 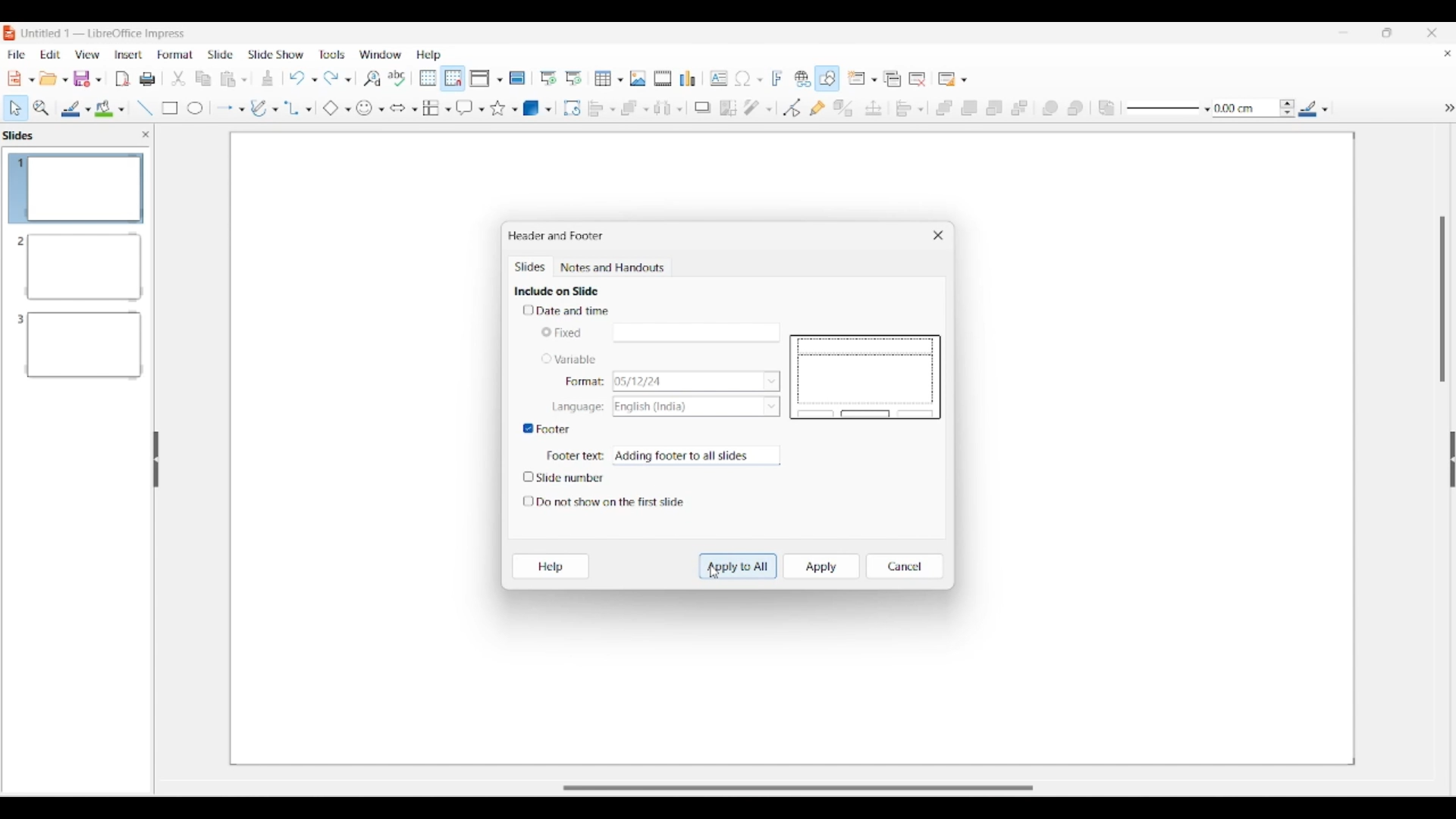 I want to click on Snap to grid highlighted, so click(x=453, y=79).